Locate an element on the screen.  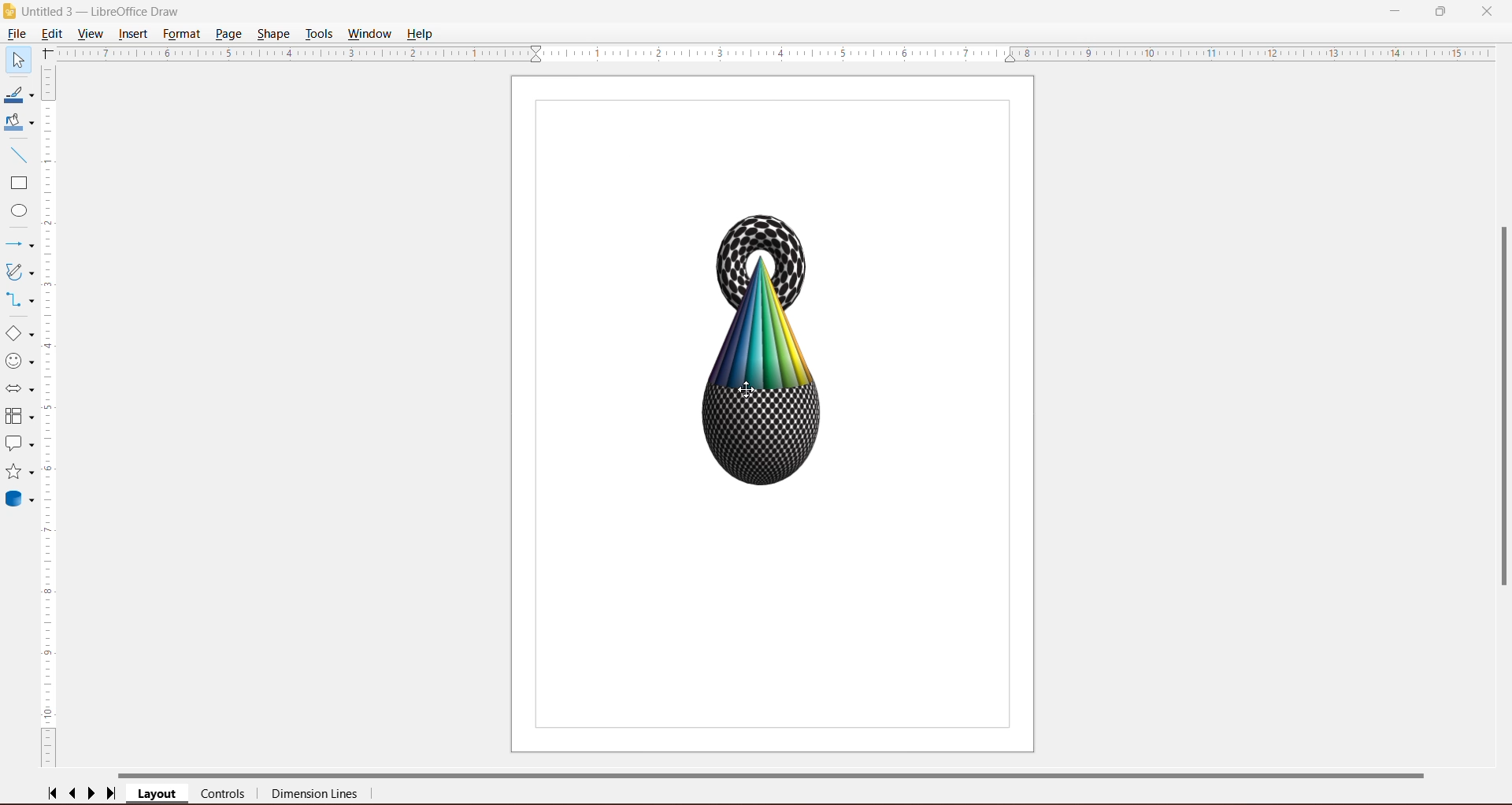
Dimension Lines is located at coordinates (316, 795).